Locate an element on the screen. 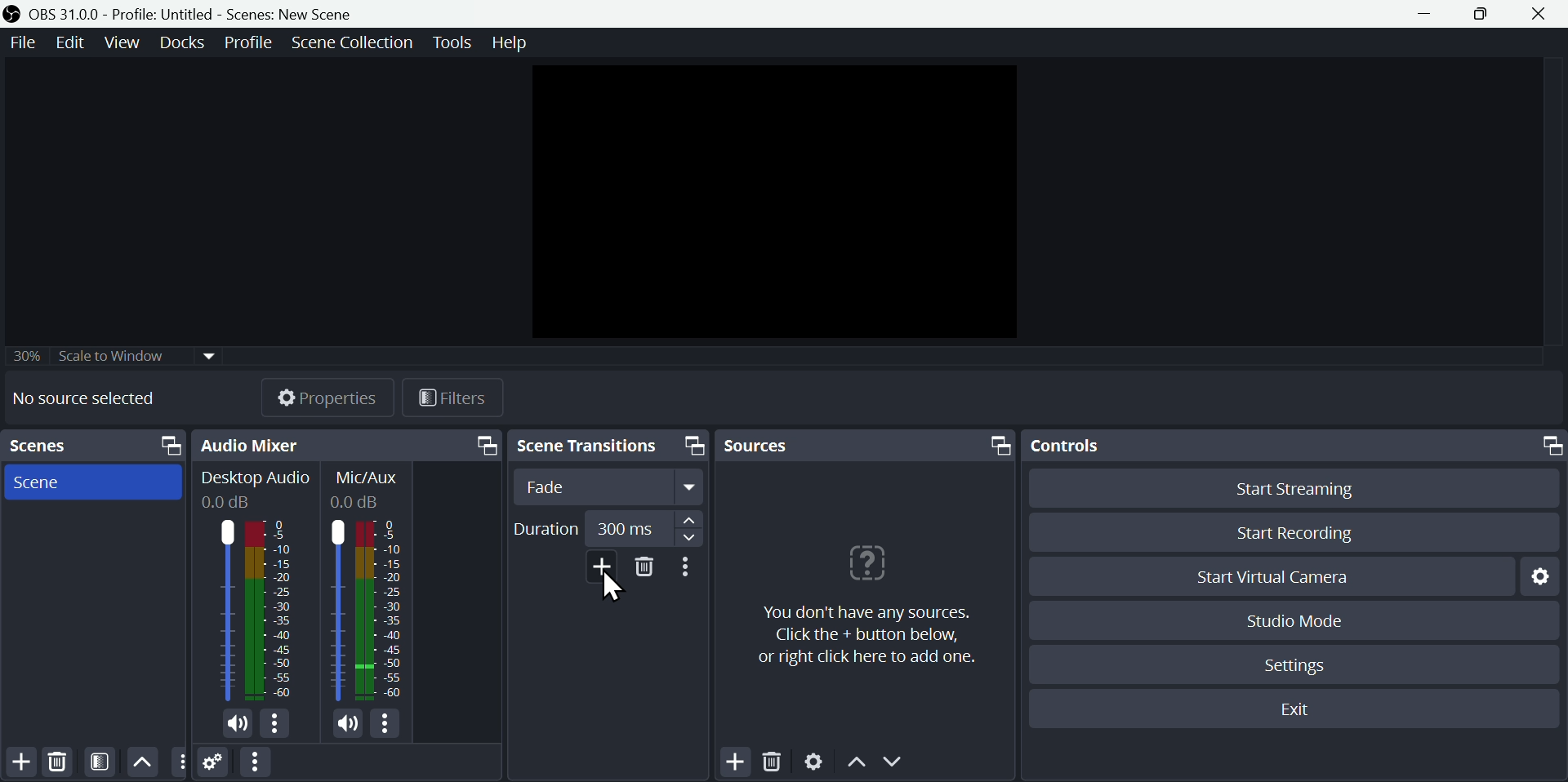 The width and height of the screenshot is (1568, 782).  is located at coordinates (185, 42).